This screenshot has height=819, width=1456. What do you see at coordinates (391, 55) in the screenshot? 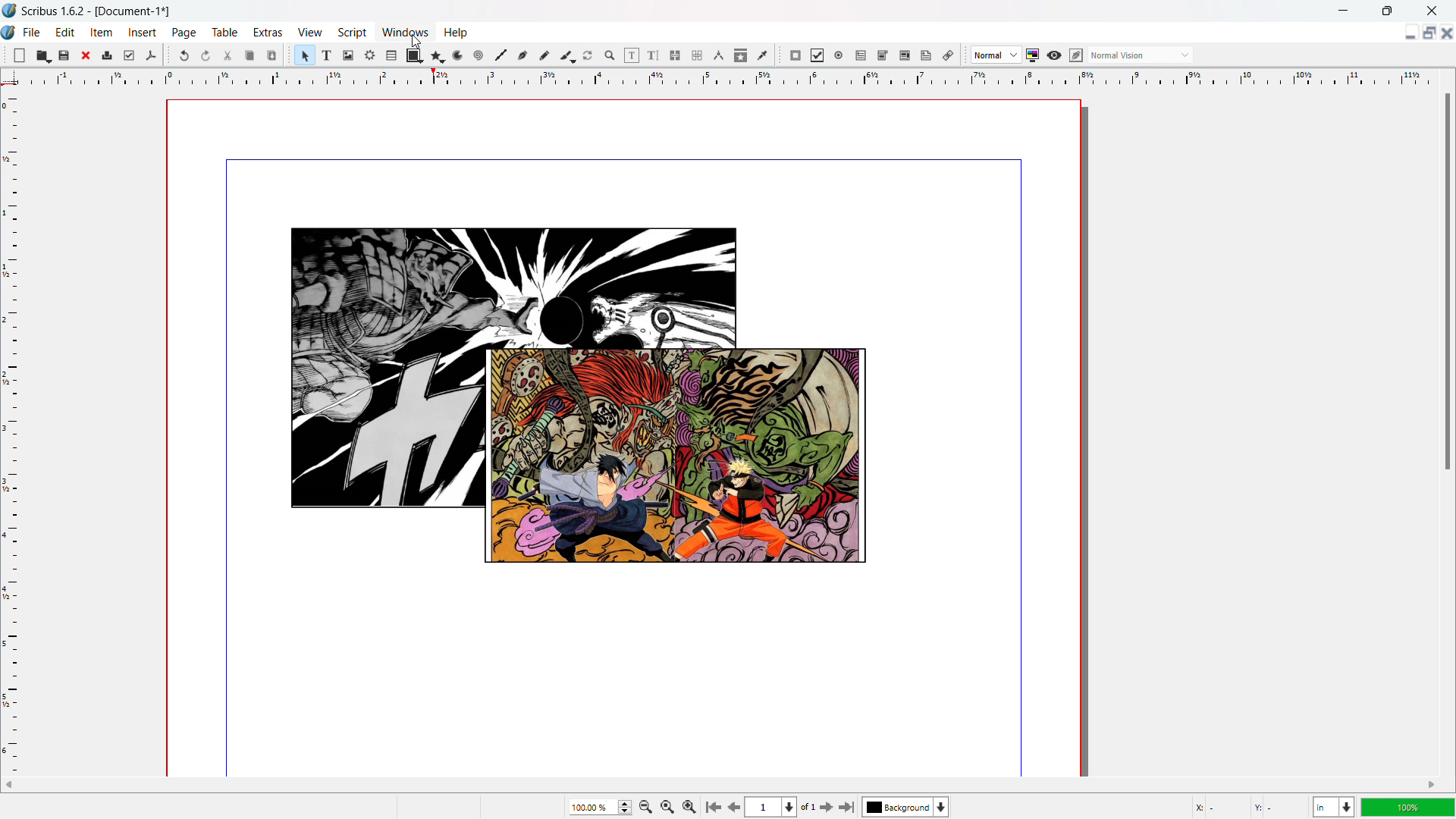
I see `table` at bounding box center [391, 55].